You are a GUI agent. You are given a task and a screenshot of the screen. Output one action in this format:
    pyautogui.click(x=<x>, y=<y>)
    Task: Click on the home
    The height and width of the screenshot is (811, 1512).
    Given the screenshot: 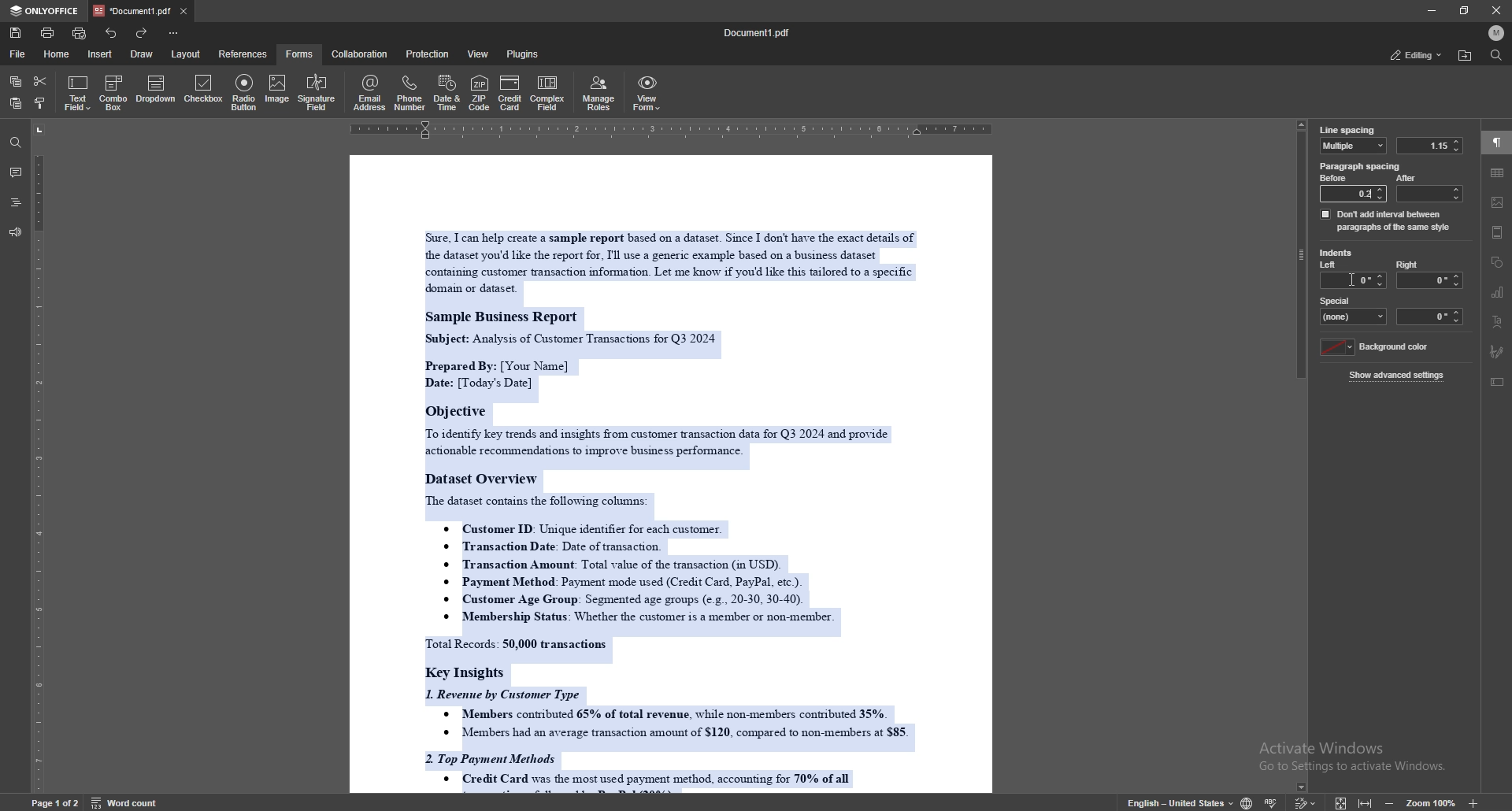 What is the action you would take?
    pyautogui.click(x=59, y=54)
    